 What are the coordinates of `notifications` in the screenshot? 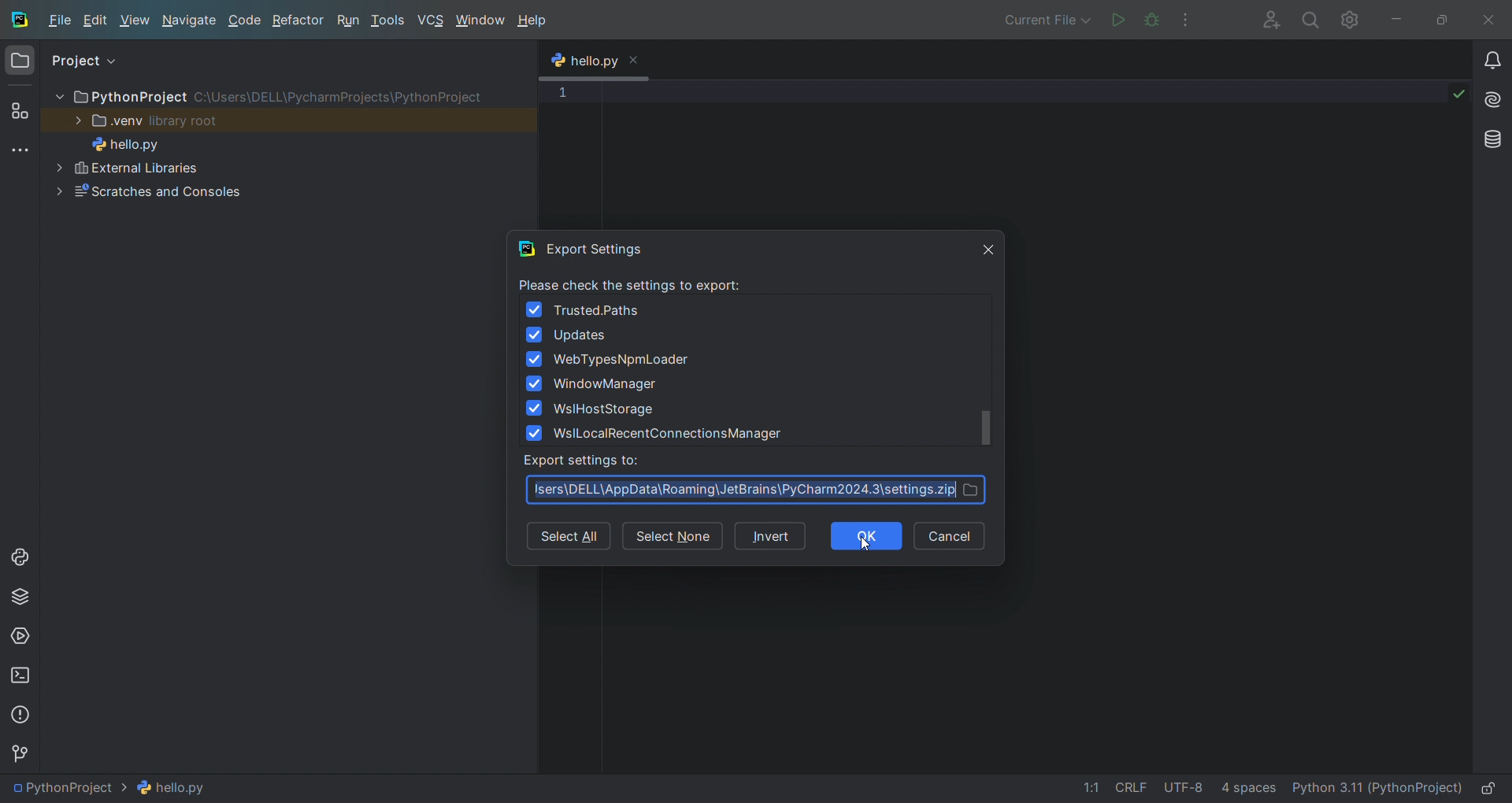 It's located at (1492, 62).